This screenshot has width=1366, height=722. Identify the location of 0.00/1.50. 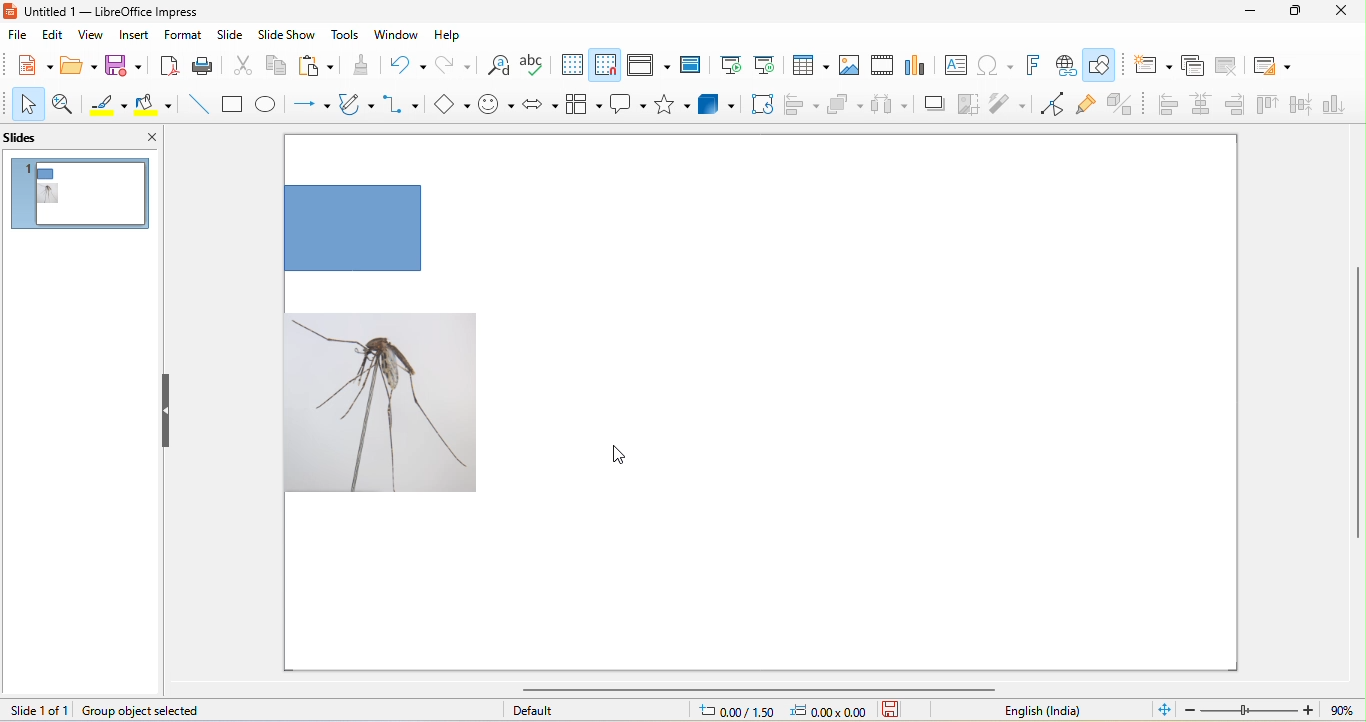
(734, 710).